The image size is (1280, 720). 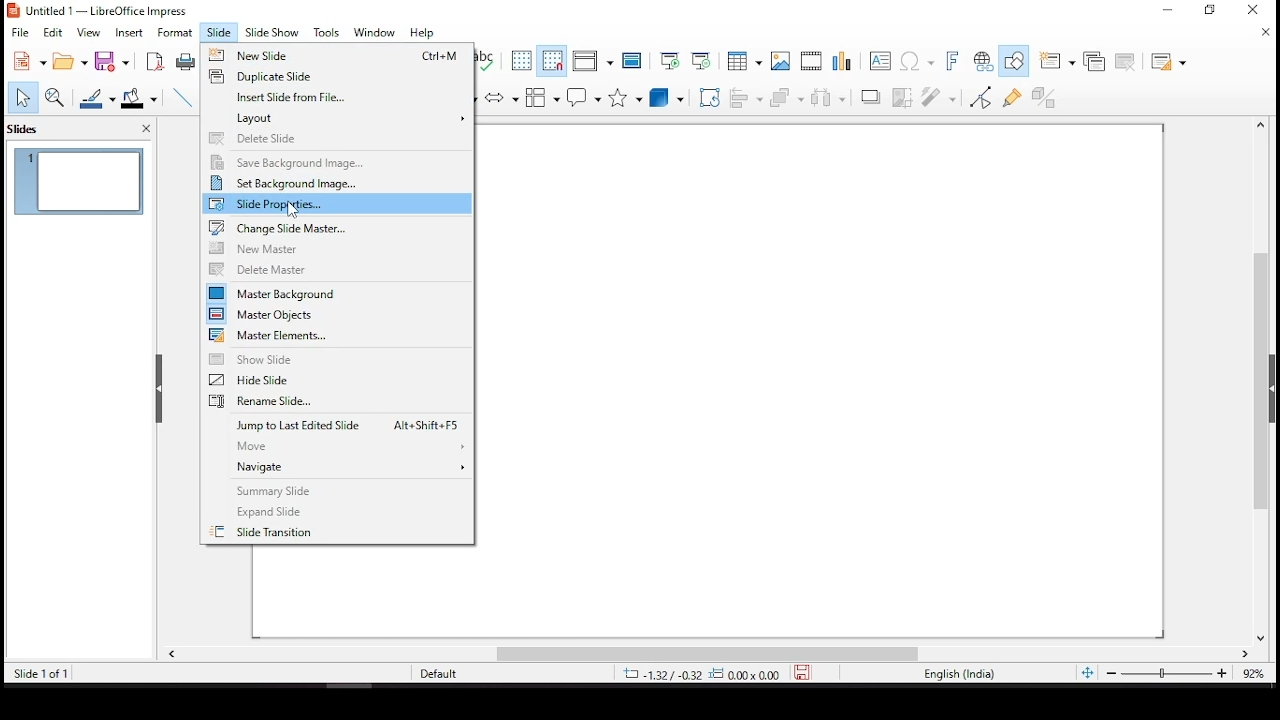 I want to click on set background image, so click(x=334, y=185).